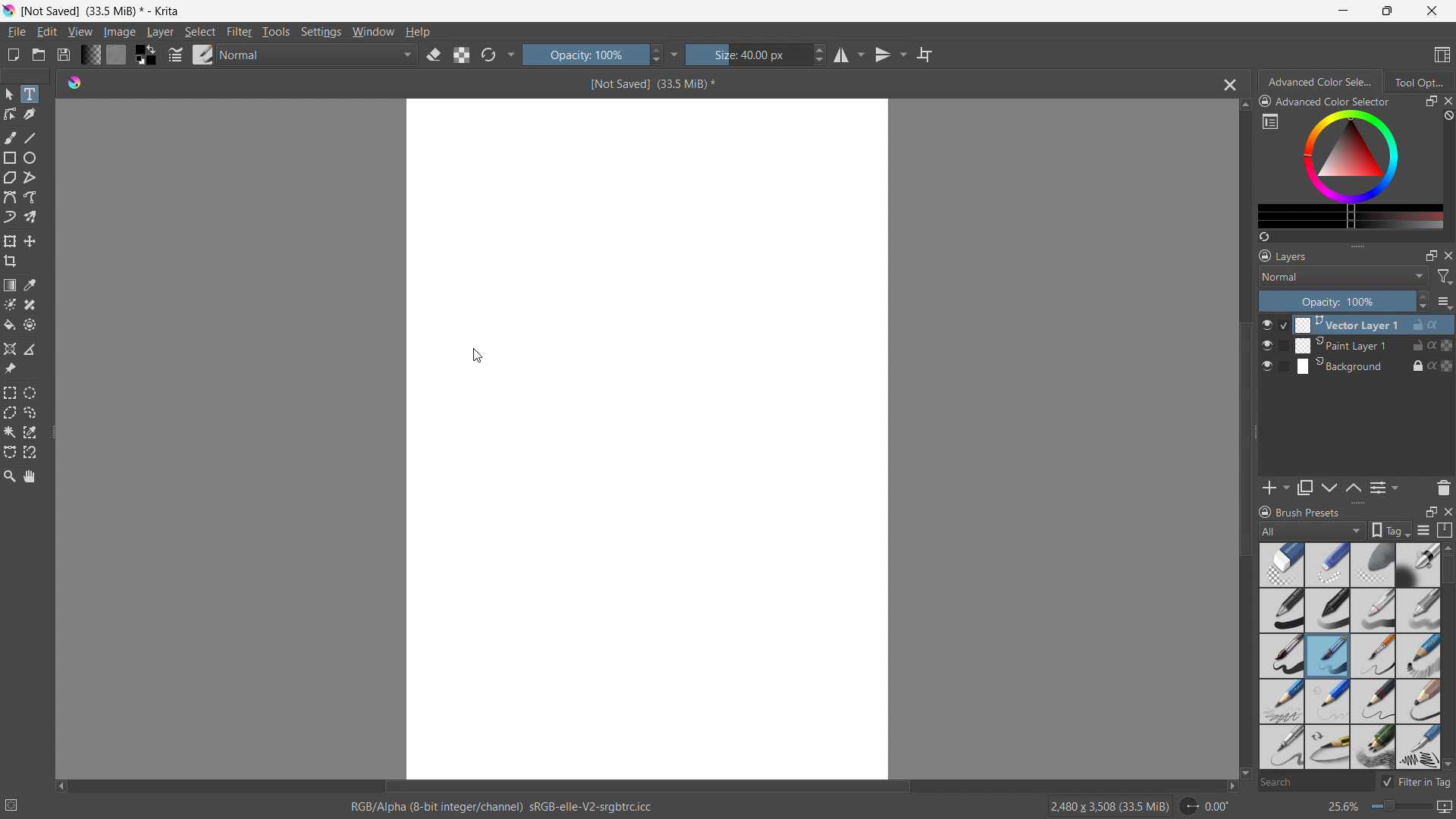 The width and height of the screenshot is (1456, 819). What do you see at coordinates (146, 55) in the screenshot?
I see `swap foreground and background colors` at bounding box center [146, 55].